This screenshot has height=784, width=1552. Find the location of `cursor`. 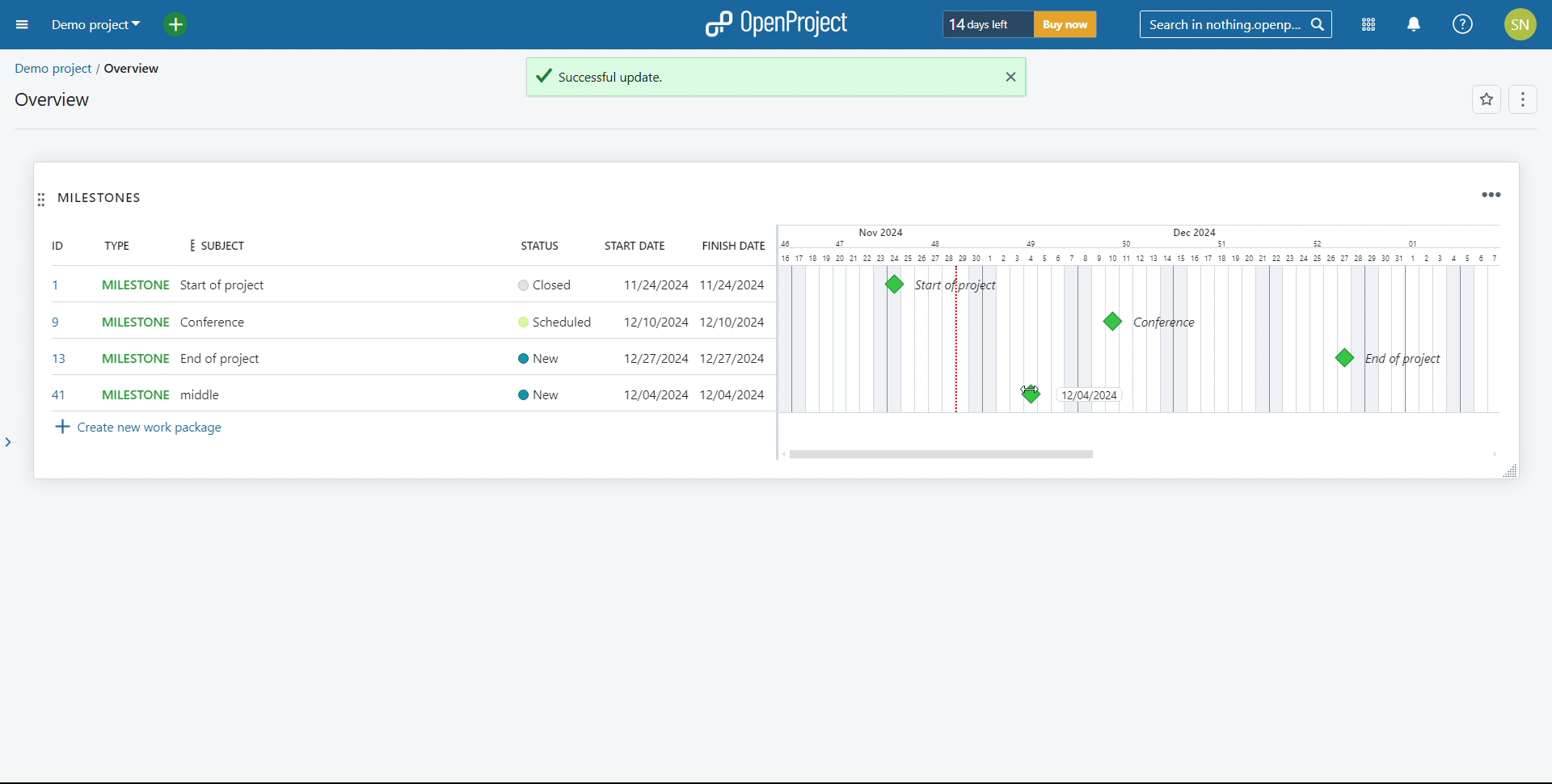

cursor is located at coordinates (1030, 390).